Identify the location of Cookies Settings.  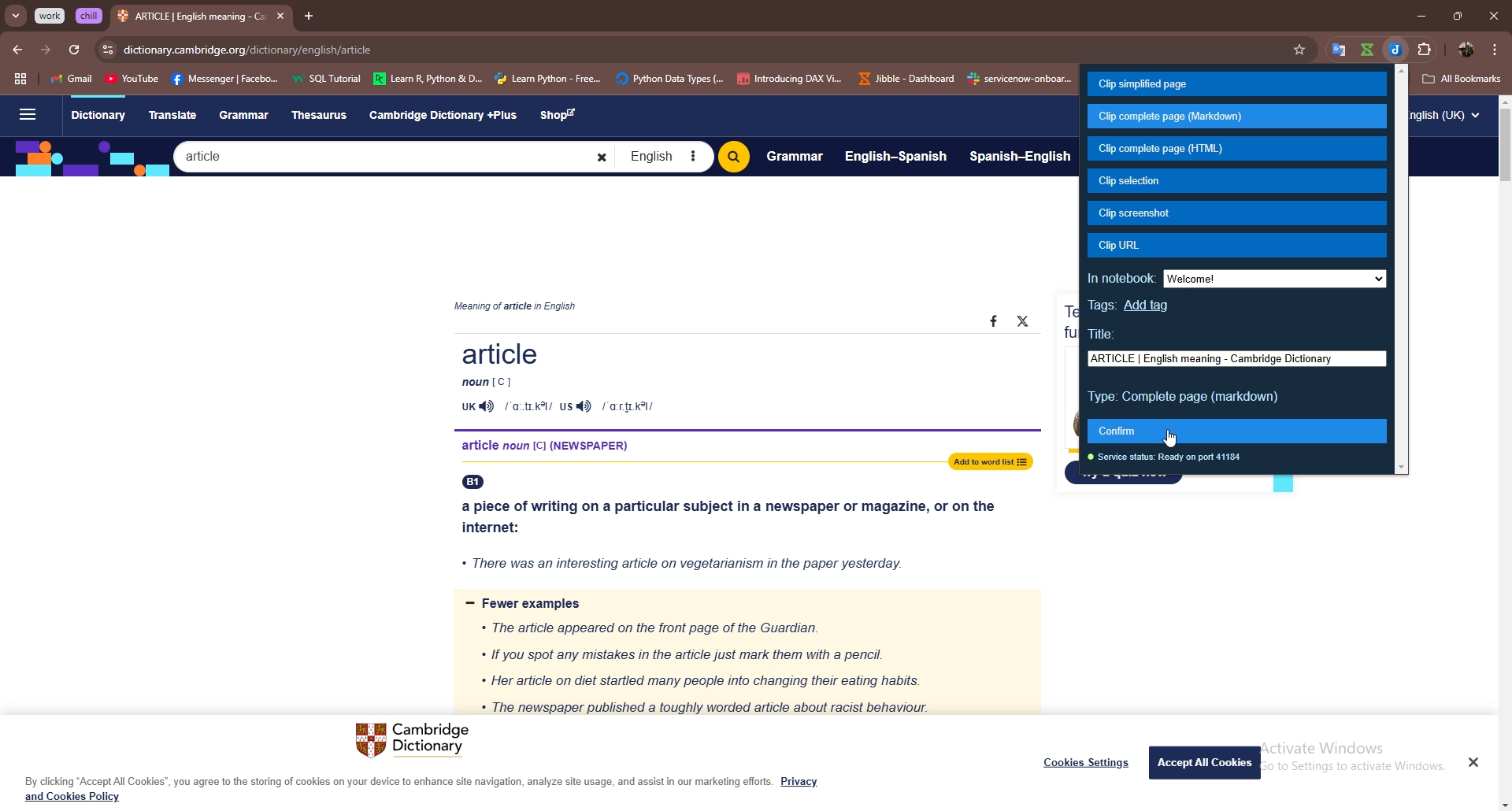
(1087, 762).